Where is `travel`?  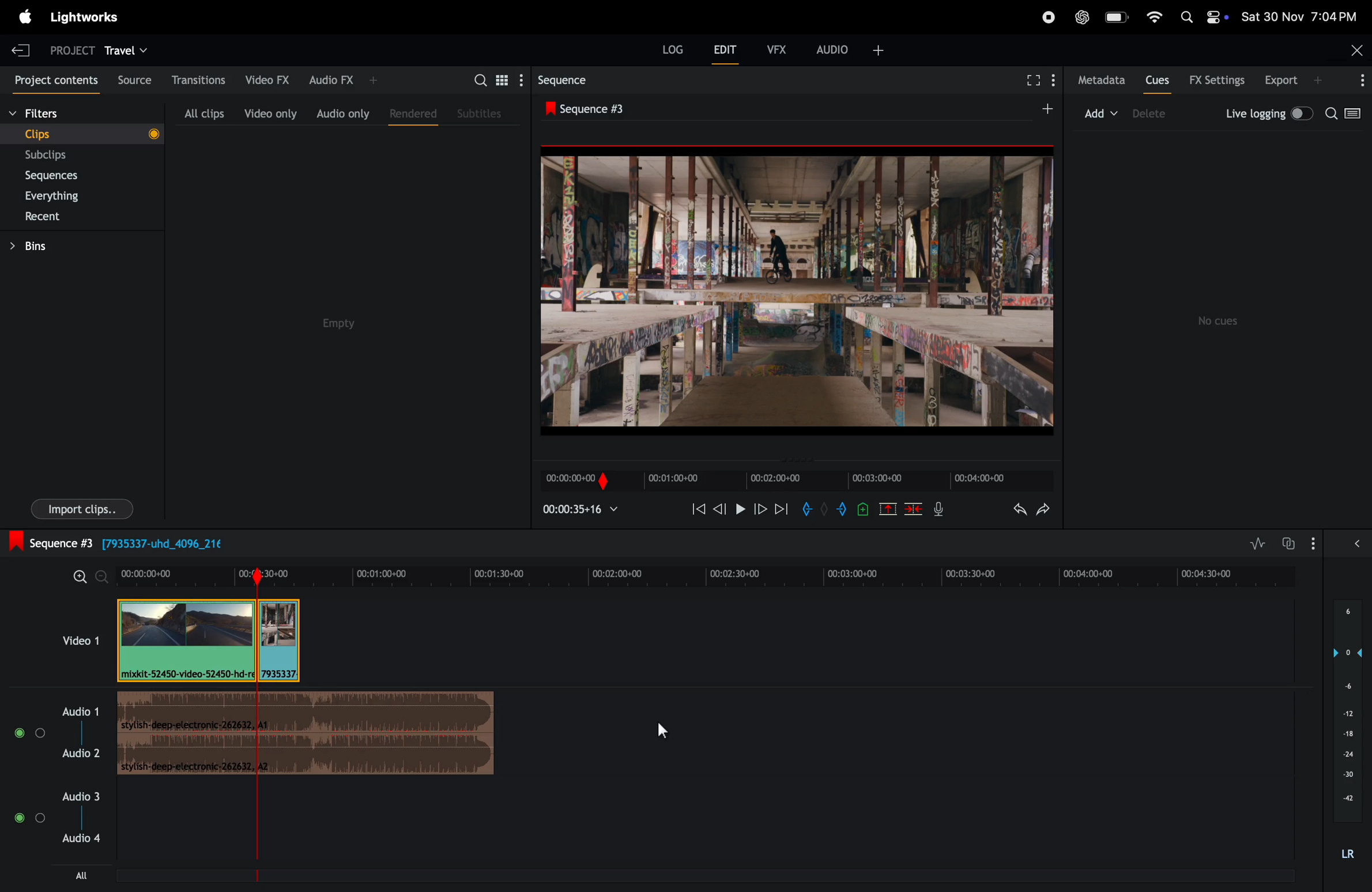 travel is located at coordinates (129, 49).